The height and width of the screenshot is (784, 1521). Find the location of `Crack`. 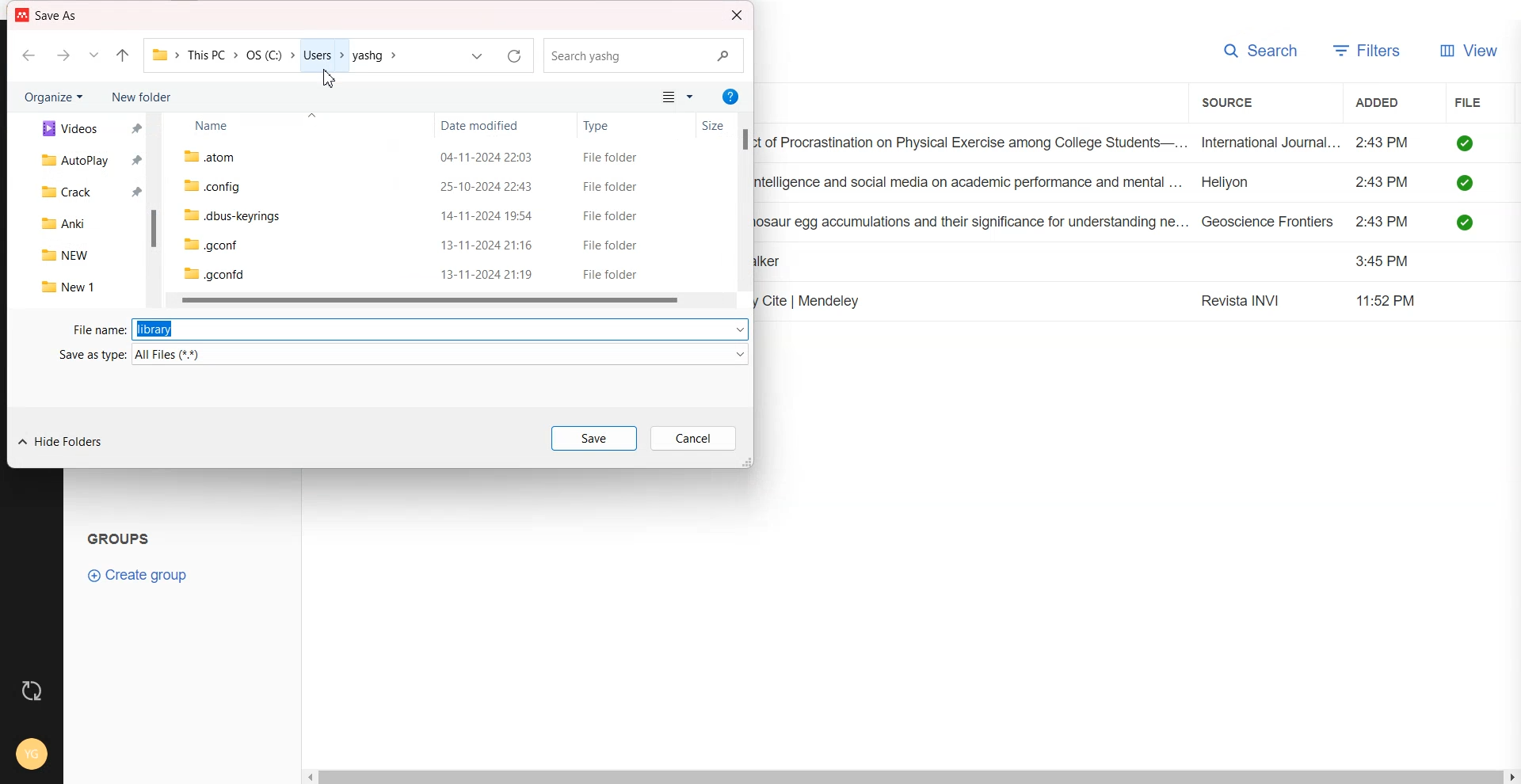

Crack is located at coordinates (90, 192).